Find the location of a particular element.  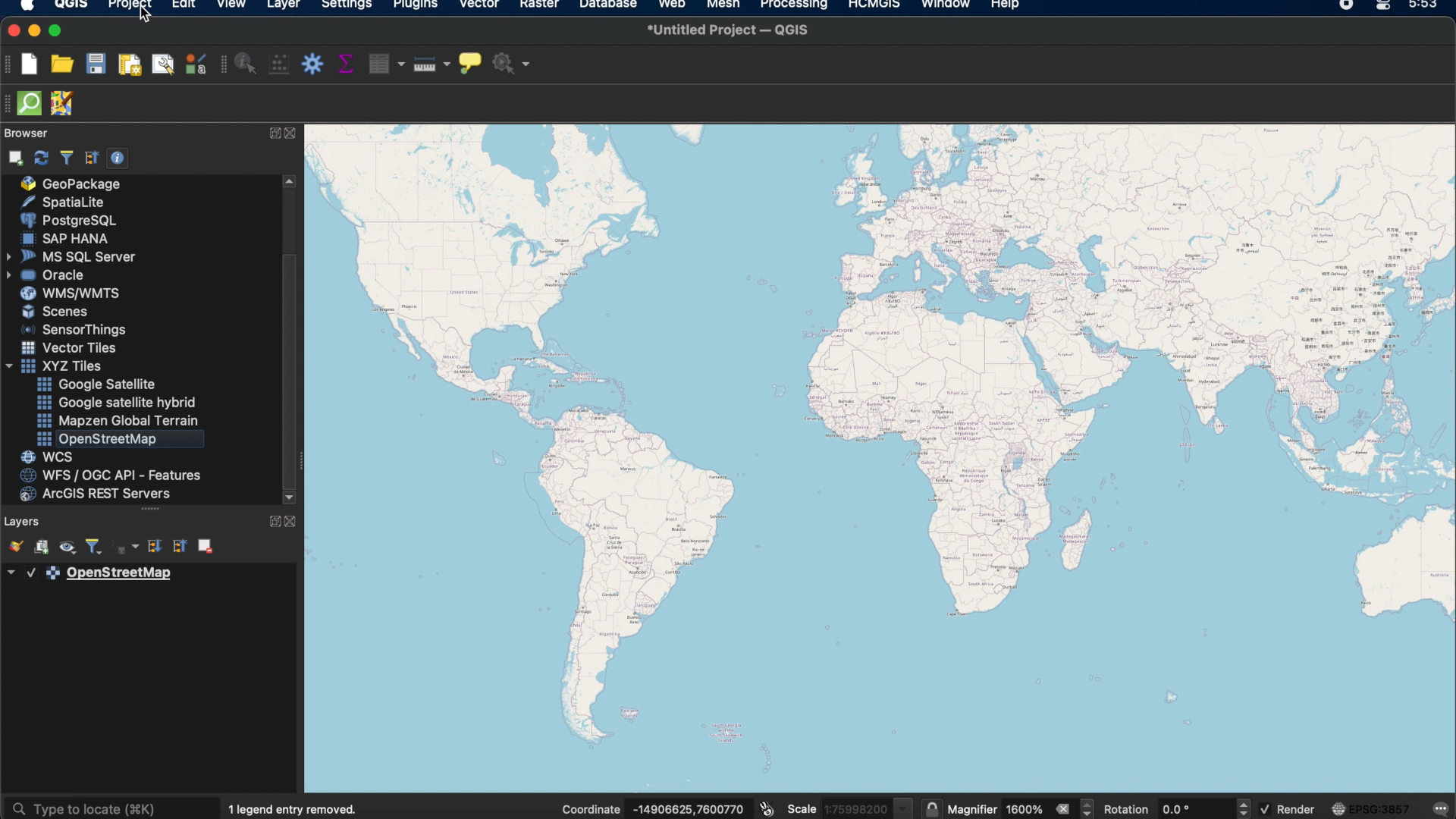

measure line is located at coordinates (431, 64).